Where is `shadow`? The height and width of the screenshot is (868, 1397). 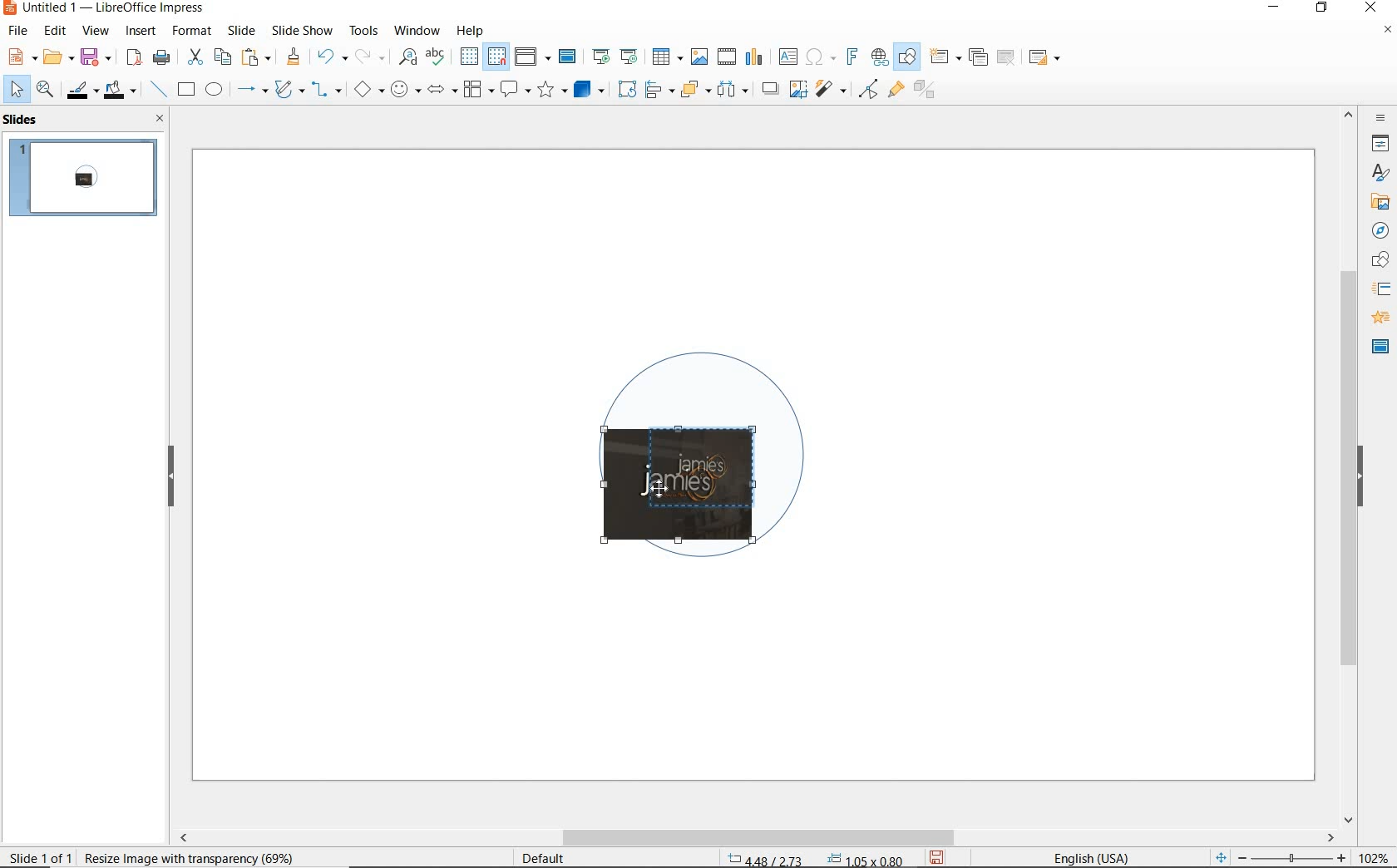
shadow is located at coordinates (769, 87).